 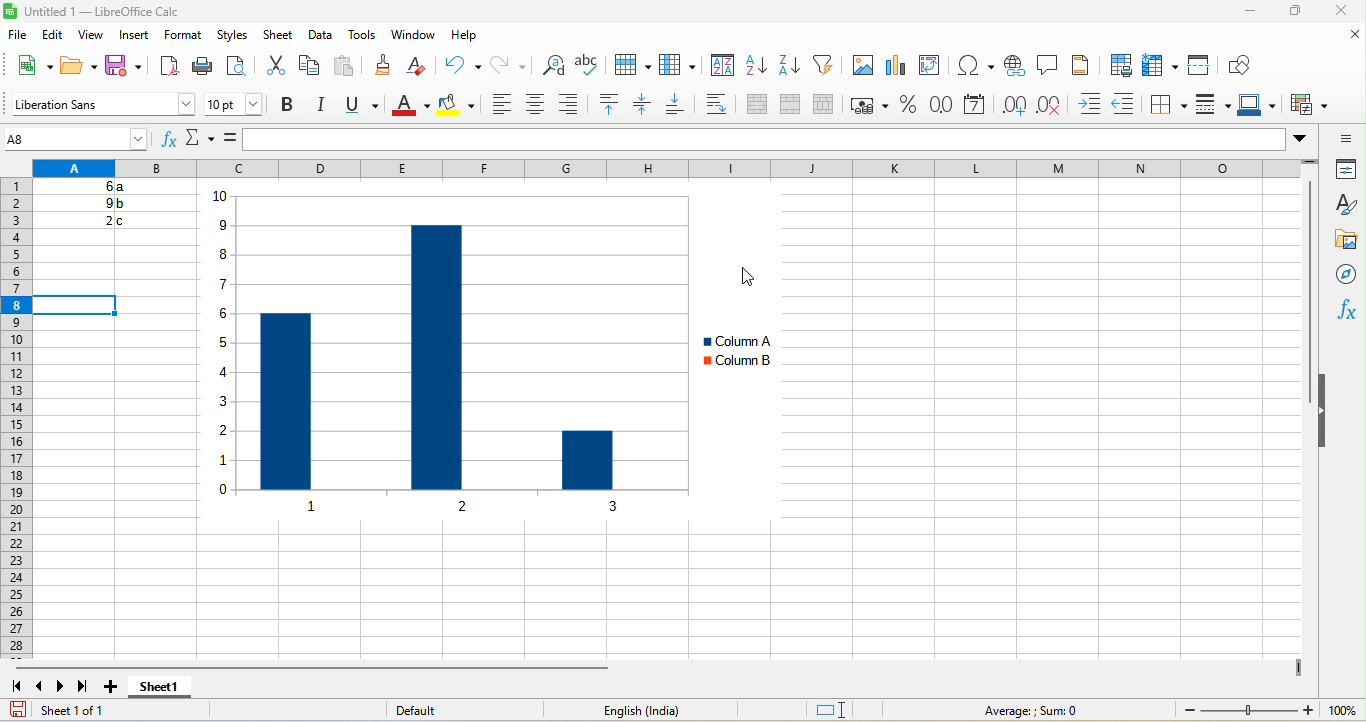 What do you see at coordinates (609, 106) in the screenshot?
I see `align top` at bounding box center [609, 106].